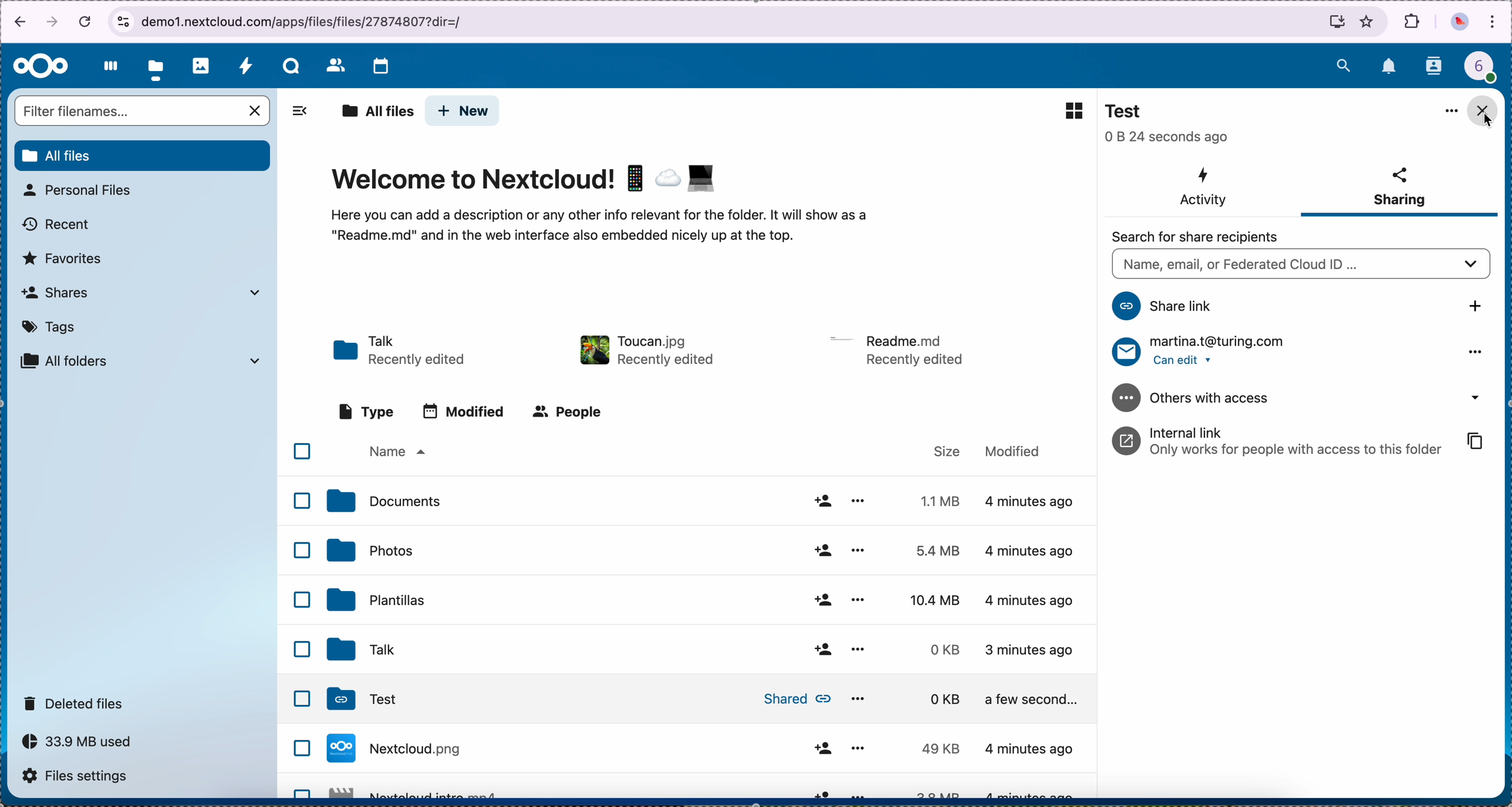 The image size is (1512, 807). I want to click on extensions, so click(1413, 21).